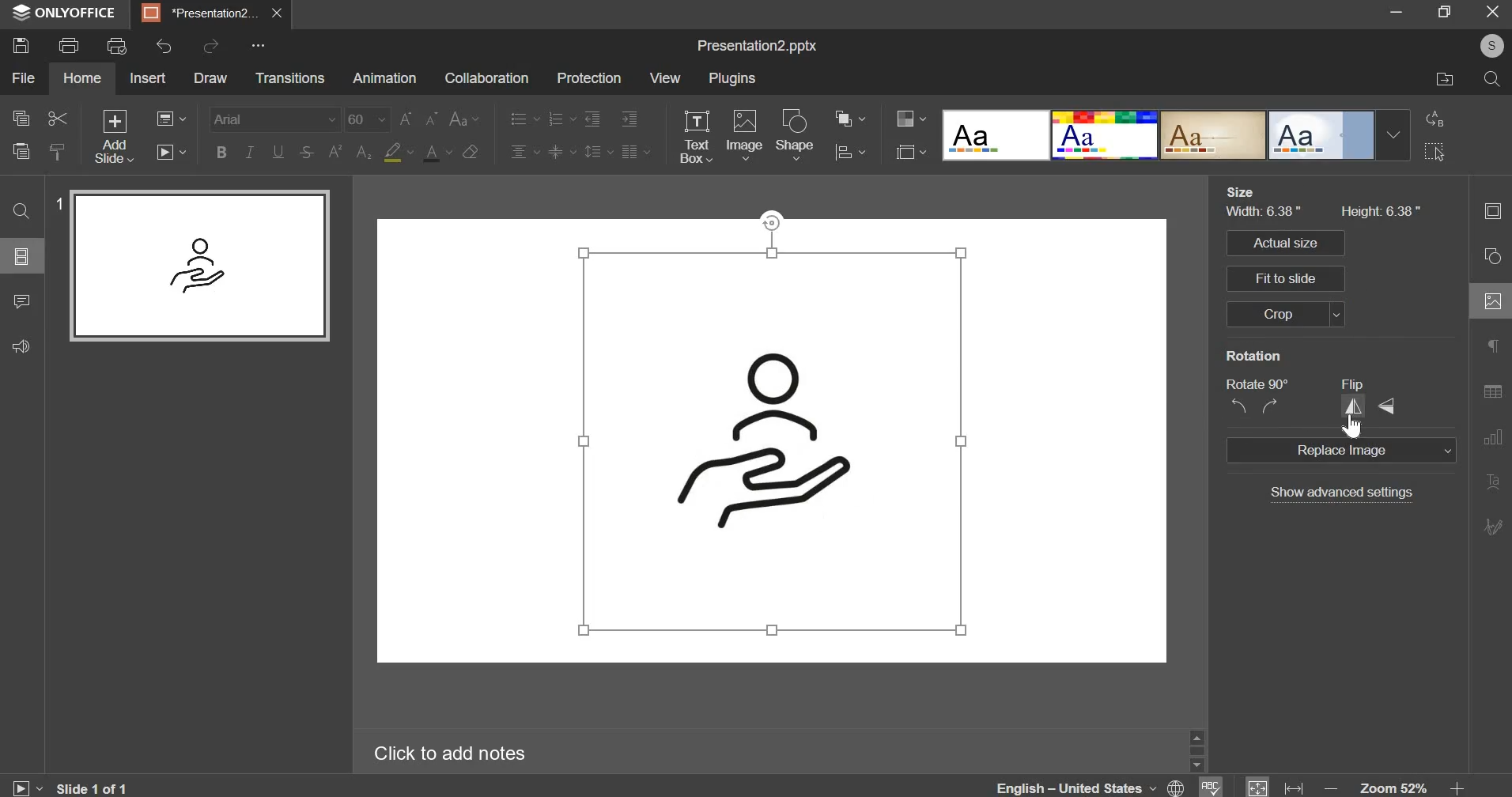 The height and width of the screenshot is (797, 1512). What do you see at coordinates (68, 46) in the screenshot?
I see `print` at bounding box center [68, 46].